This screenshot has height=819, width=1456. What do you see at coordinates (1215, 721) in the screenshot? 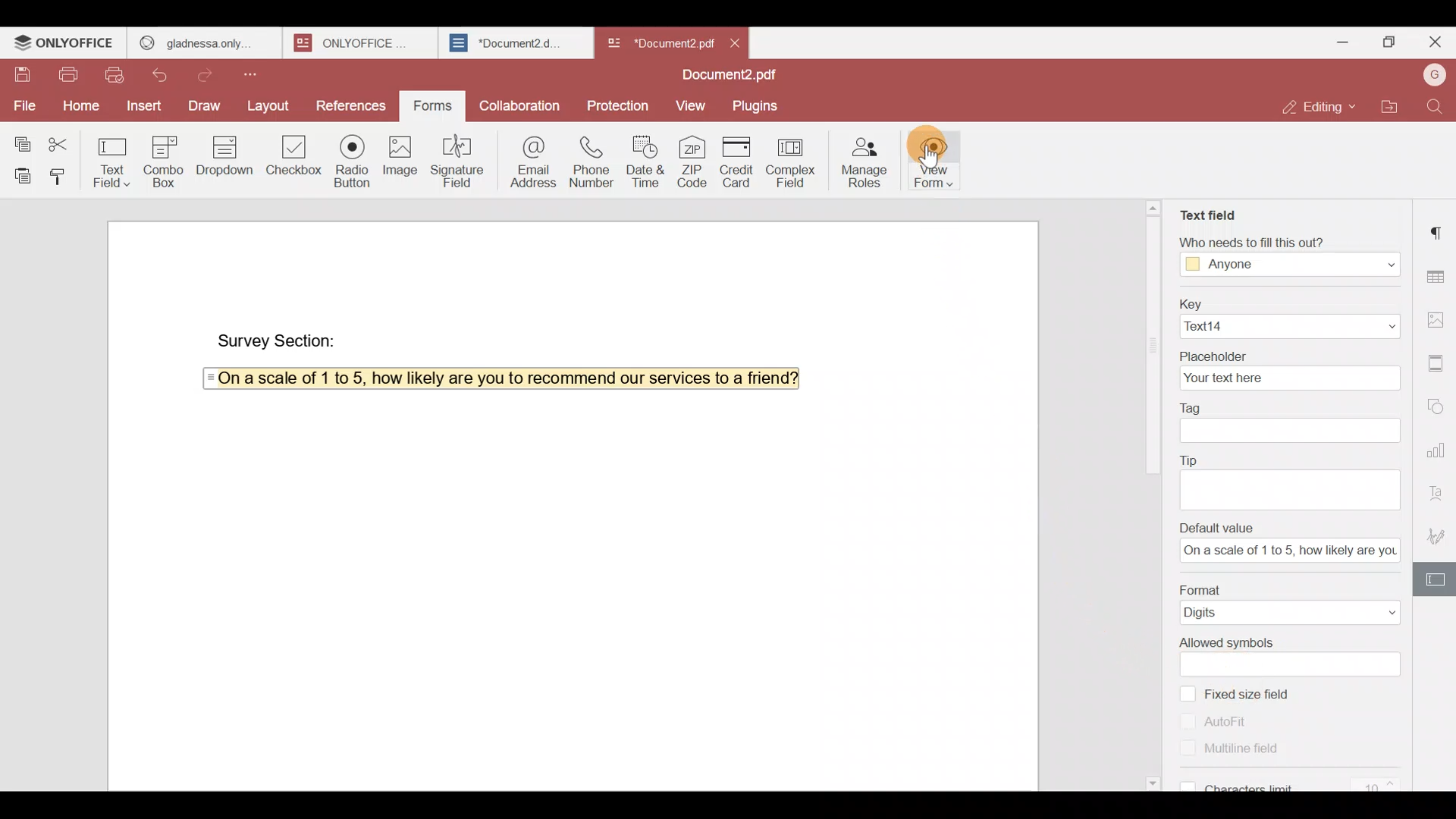
I see `Autofit` at bounding box center [1215, 721].